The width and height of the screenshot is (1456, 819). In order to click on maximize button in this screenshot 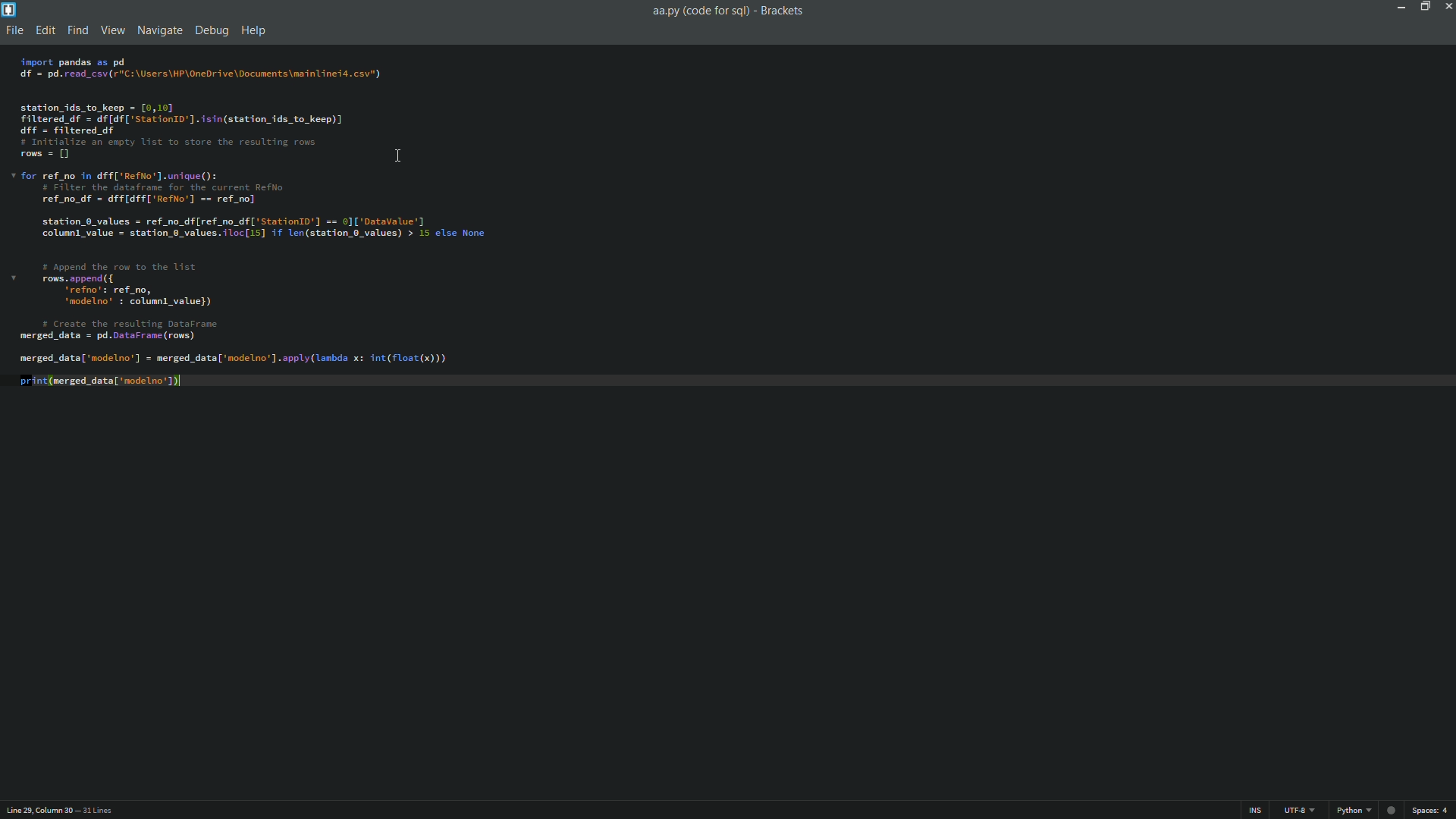, I will do `click(1423, 6)`.